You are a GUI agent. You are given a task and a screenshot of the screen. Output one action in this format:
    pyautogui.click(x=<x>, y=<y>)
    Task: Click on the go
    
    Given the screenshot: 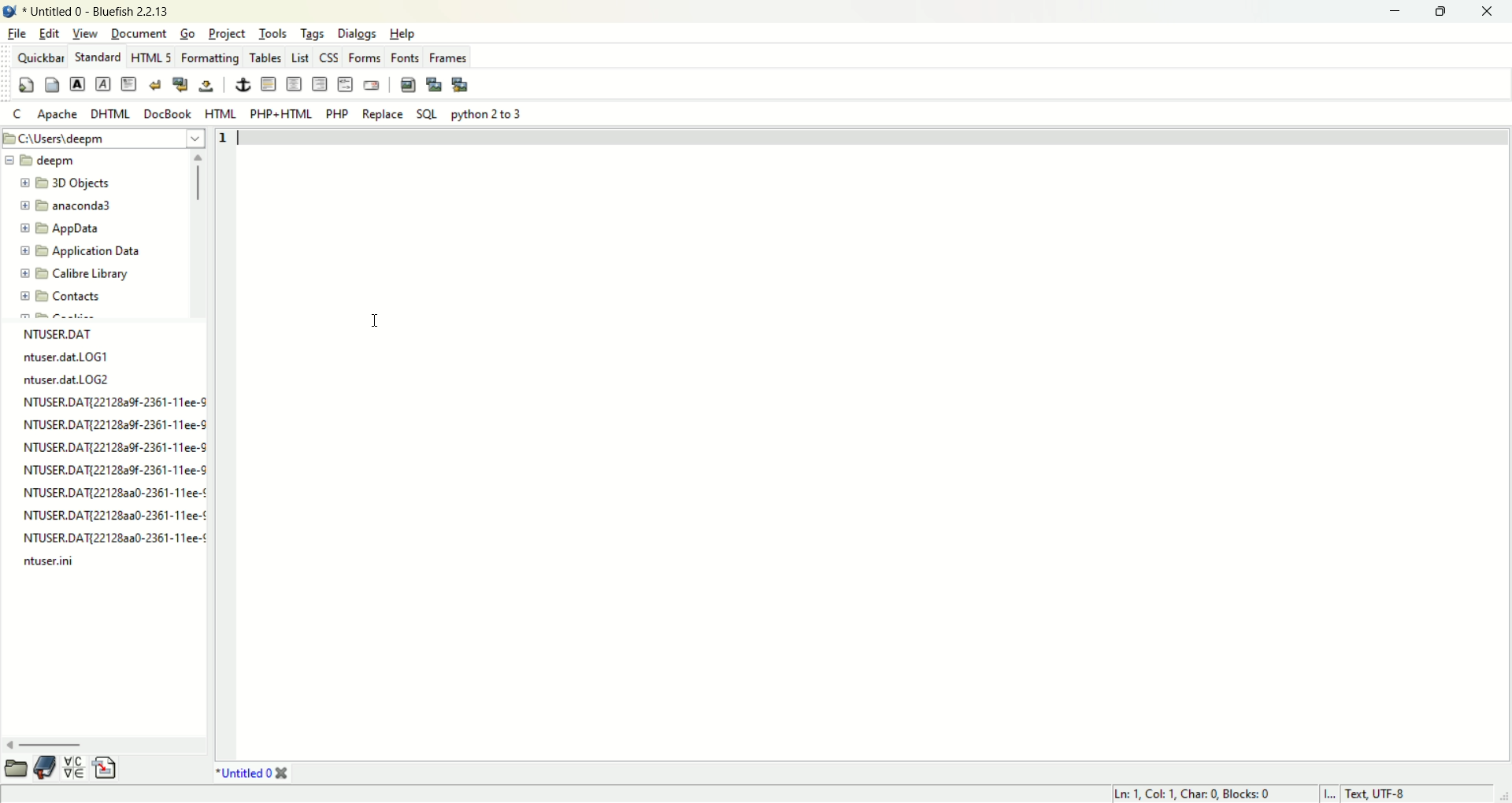 What is the action you would take?
    pyautogui.click(x=187, y=33)
    